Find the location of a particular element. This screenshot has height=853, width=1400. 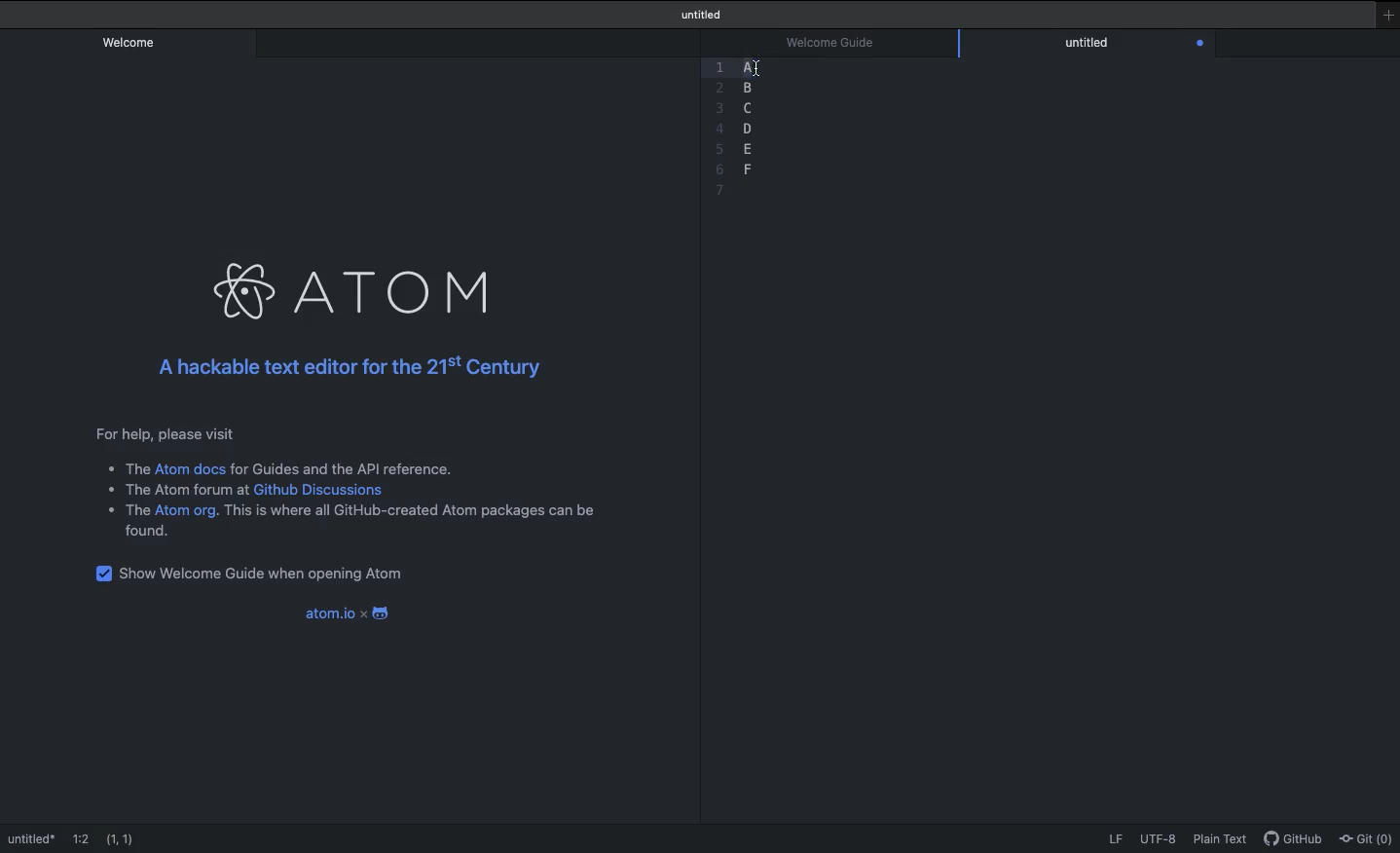

Welcome guide is located at coordinates (831, 44).